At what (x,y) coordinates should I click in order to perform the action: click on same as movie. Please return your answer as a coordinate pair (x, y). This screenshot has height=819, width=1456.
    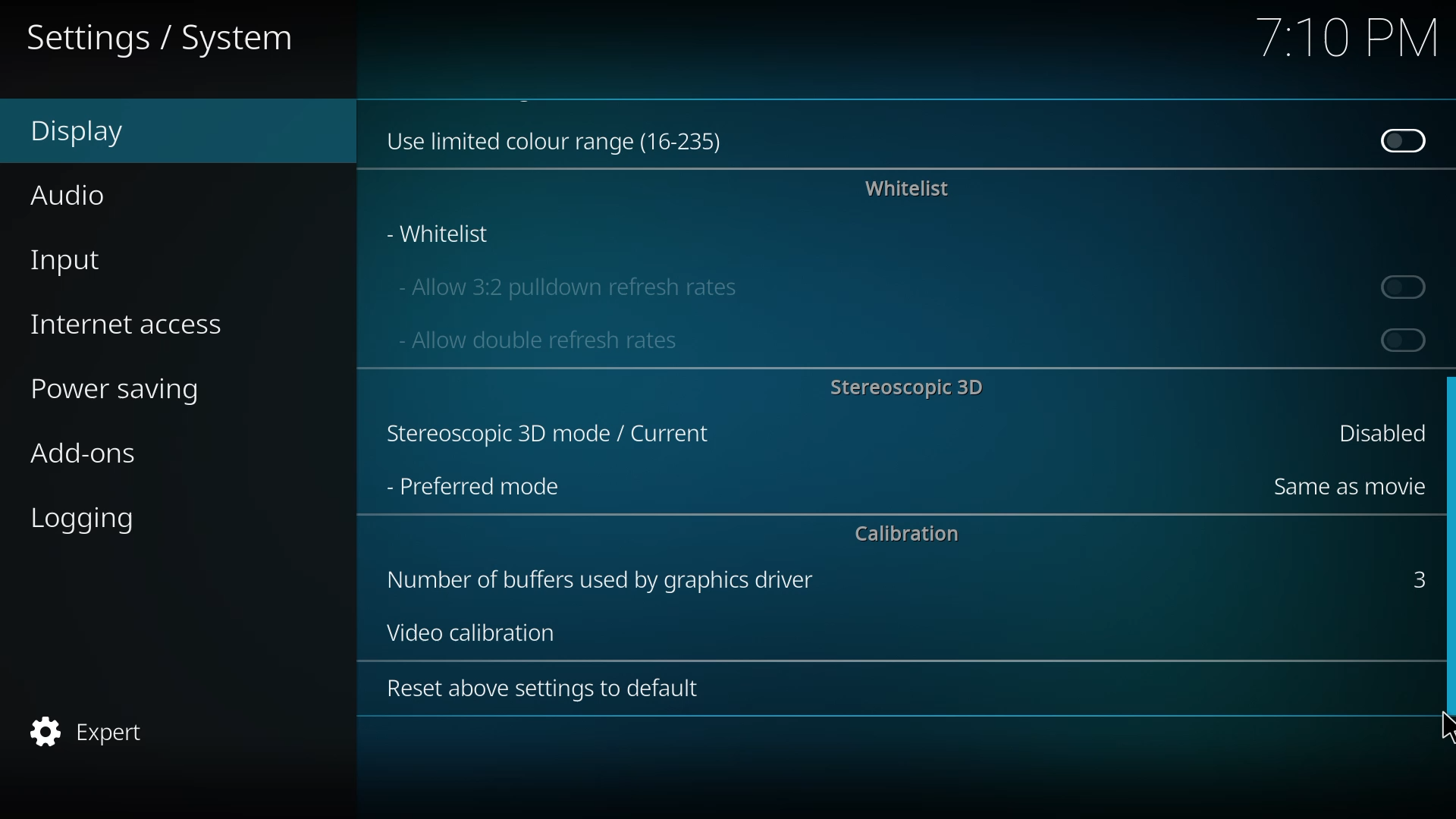
    Looking at the image, I should click on (1345, 486).